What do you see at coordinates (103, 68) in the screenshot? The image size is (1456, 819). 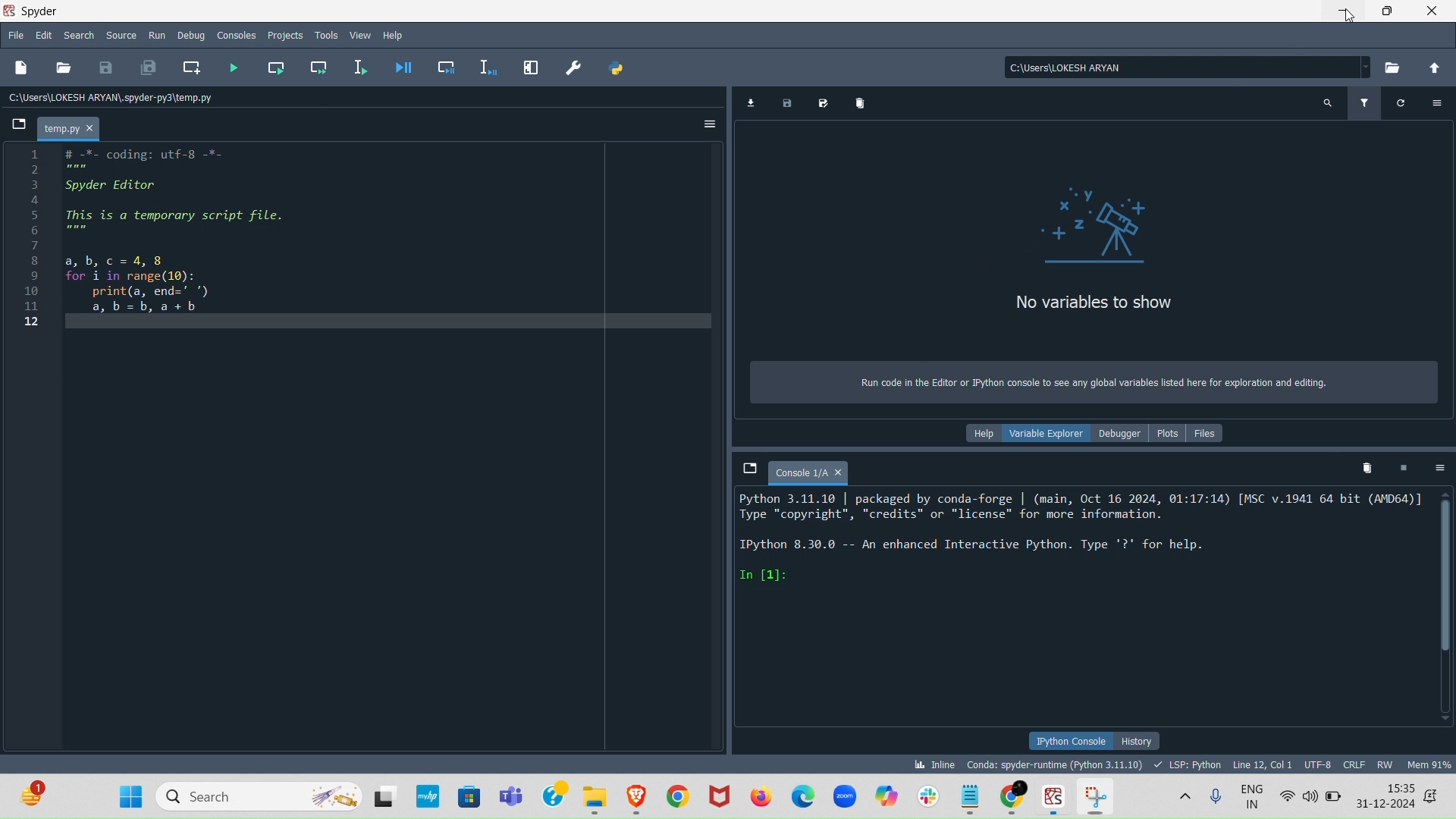 I see `Save file (Ctrl + S)` at bounding box center [103, 68].